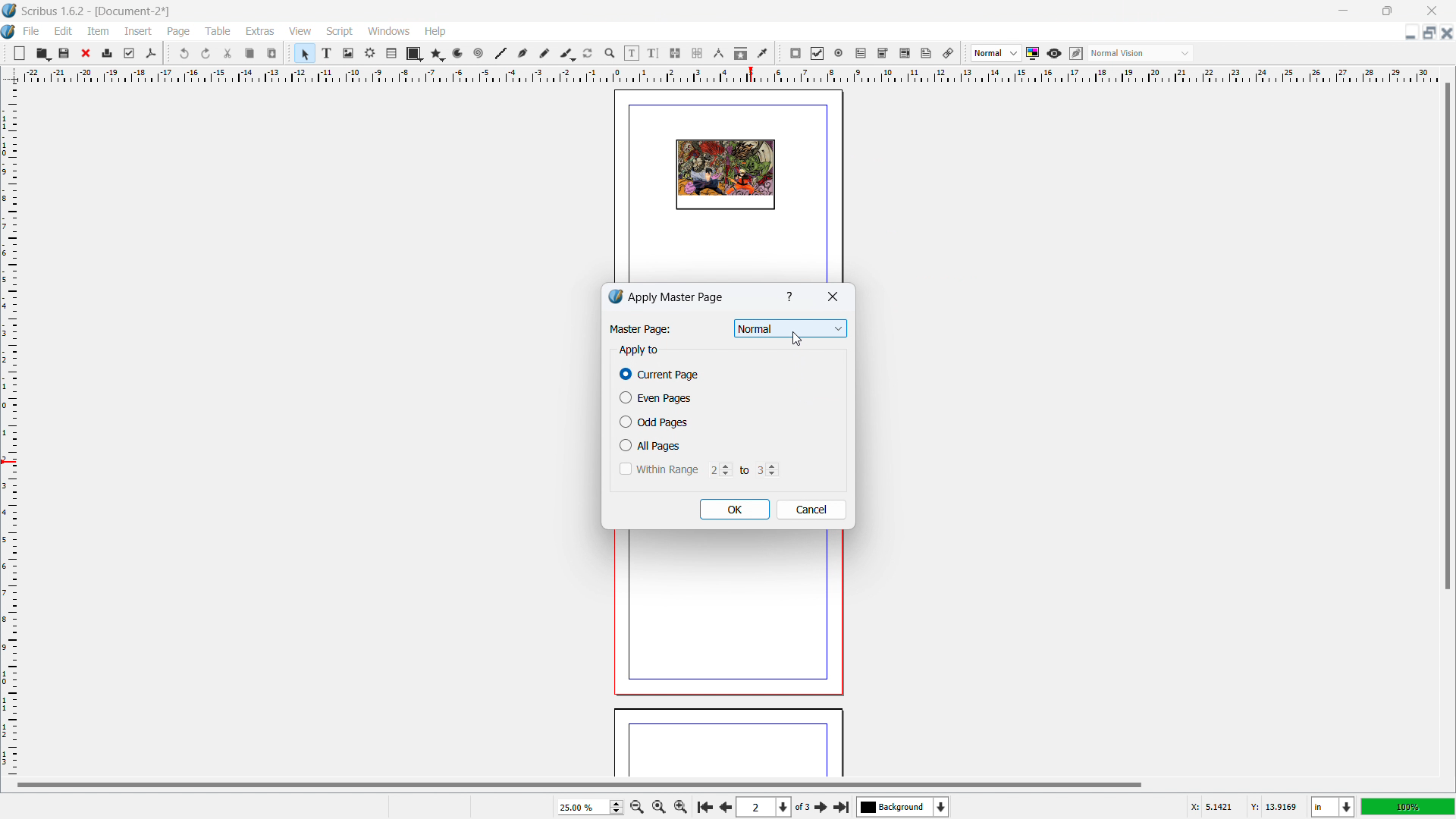 Image resolution: width=1456 pixels, height=819 pixels. What do you see at coordinates (218, 31) in the screenshot?
I see `table` at bounding box center [218, 31].